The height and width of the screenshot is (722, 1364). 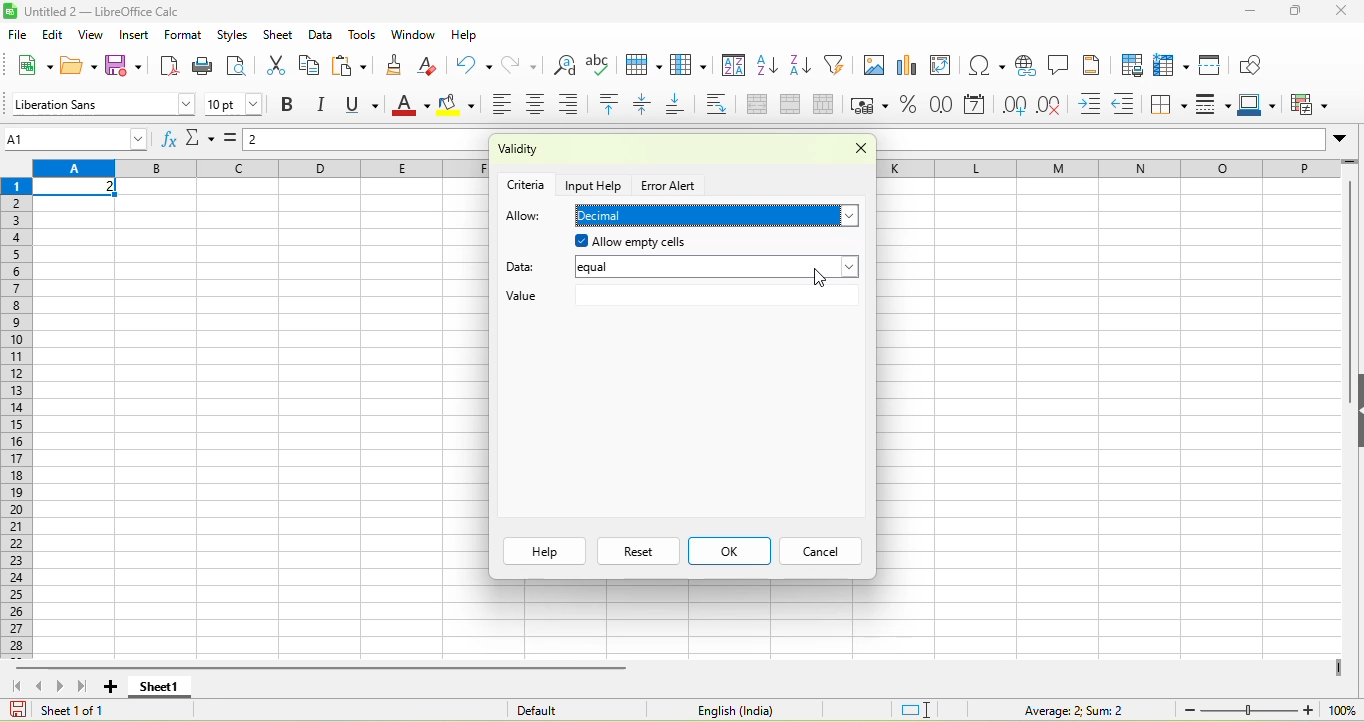 I want to click on maximize, so click(x=1298, y=12).